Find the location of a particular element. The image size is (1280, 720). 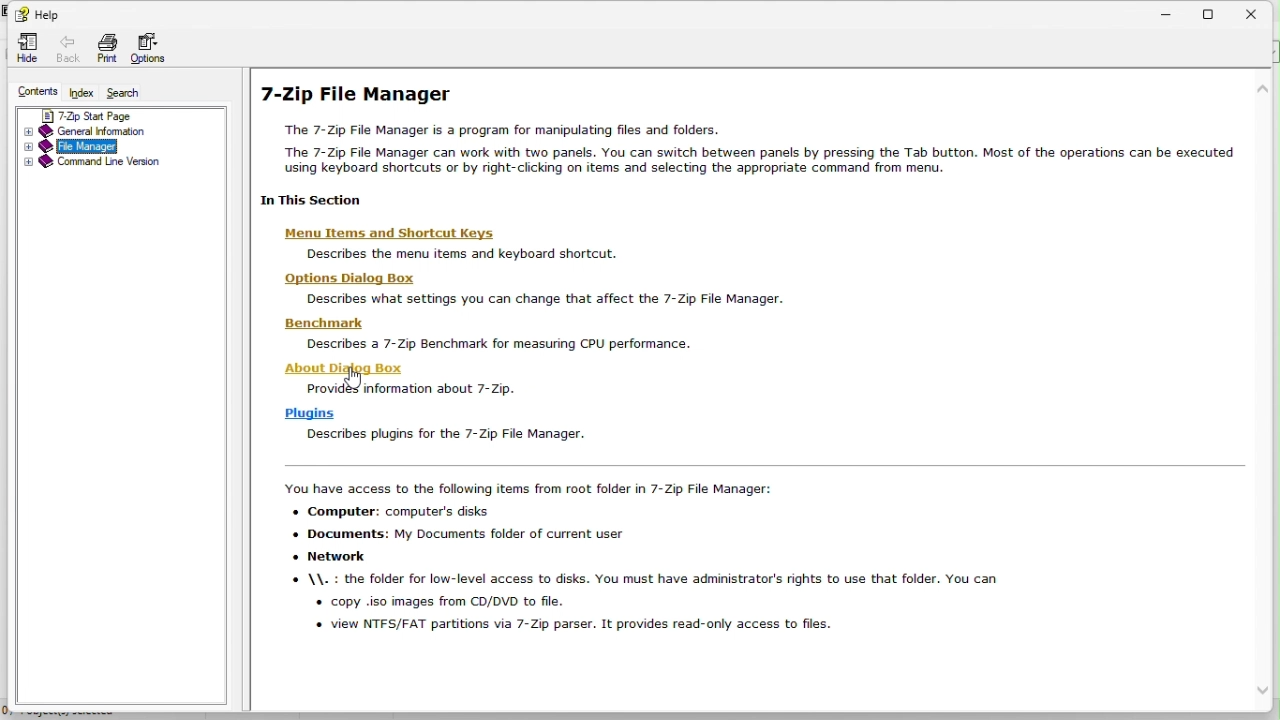

hide  is located at coordinates (26, 49).